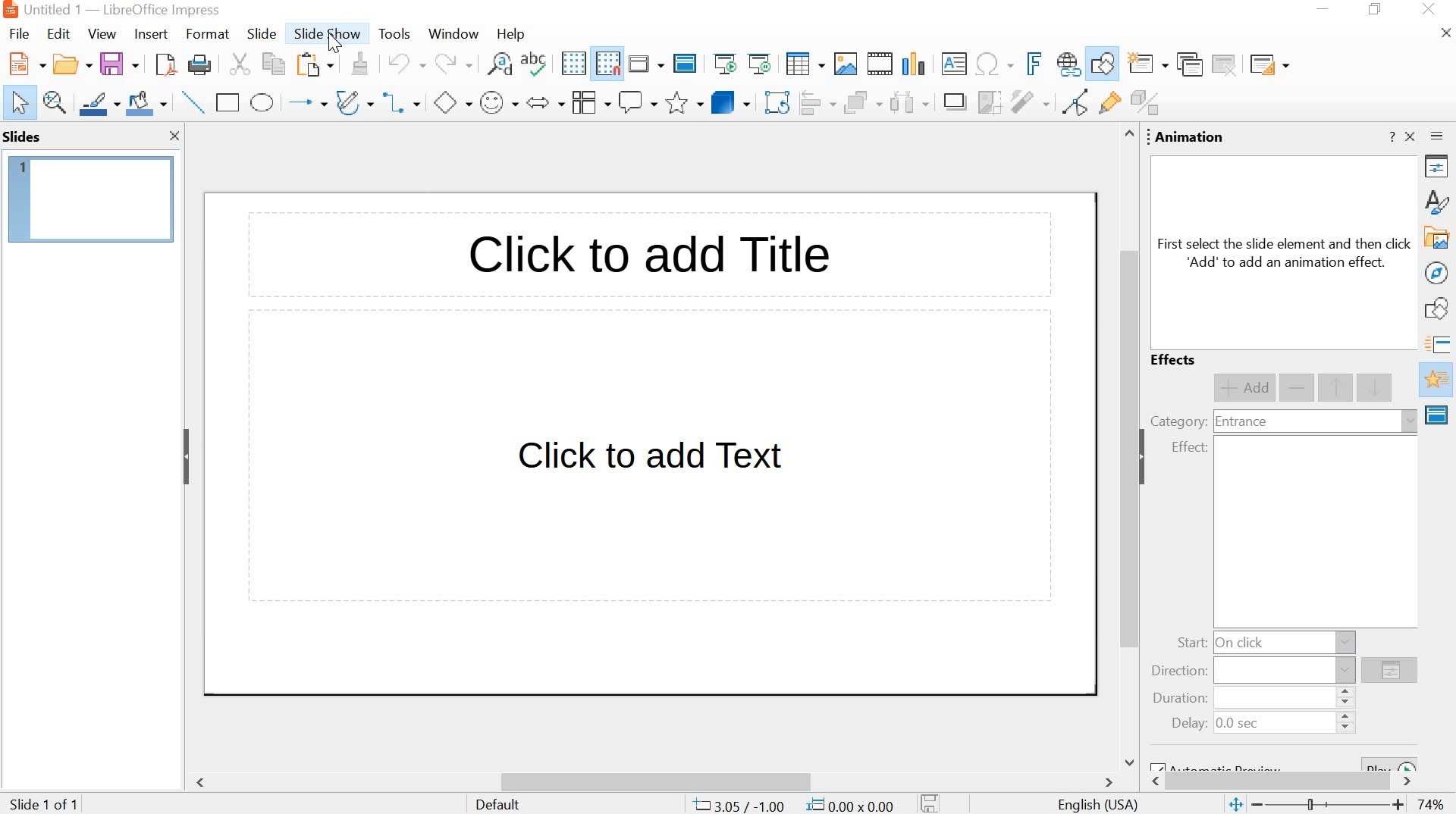  I want to click on slideshow from current slide, so click(762, 64).